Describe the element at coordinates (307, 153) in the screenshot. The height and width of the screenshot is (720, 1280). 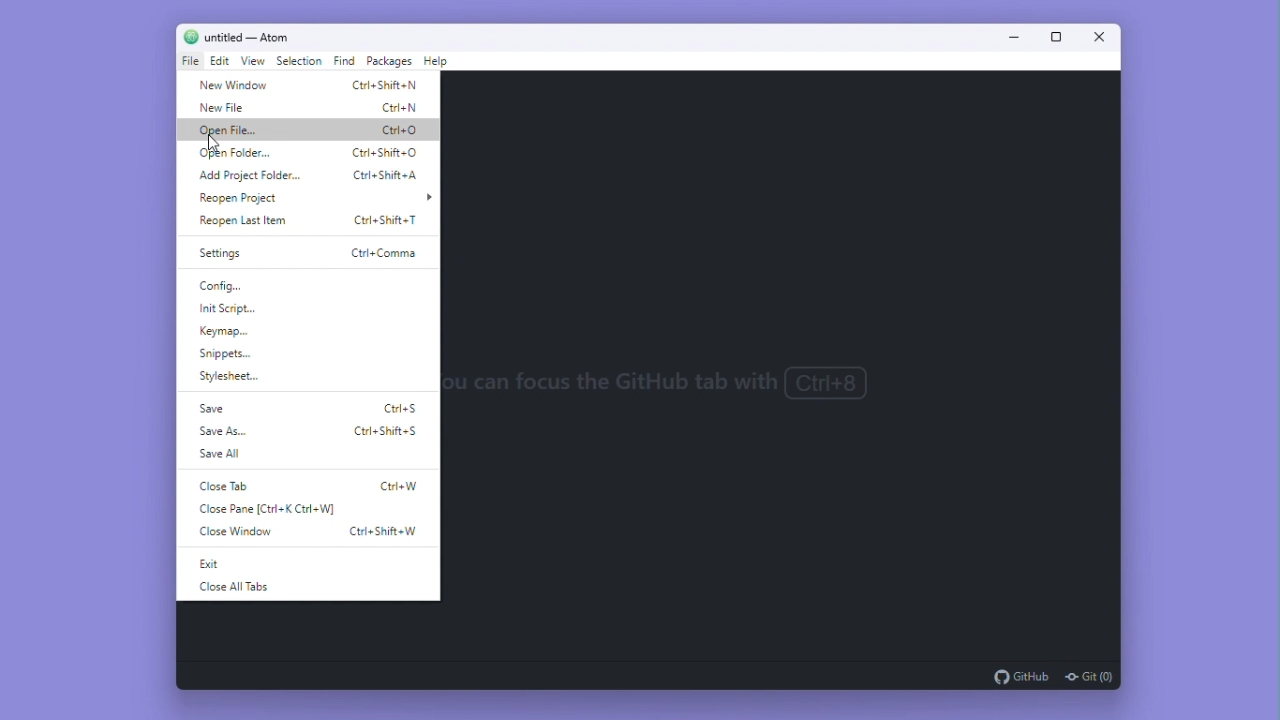
I see `Open folder ... ctrl+shift+O` at that location.